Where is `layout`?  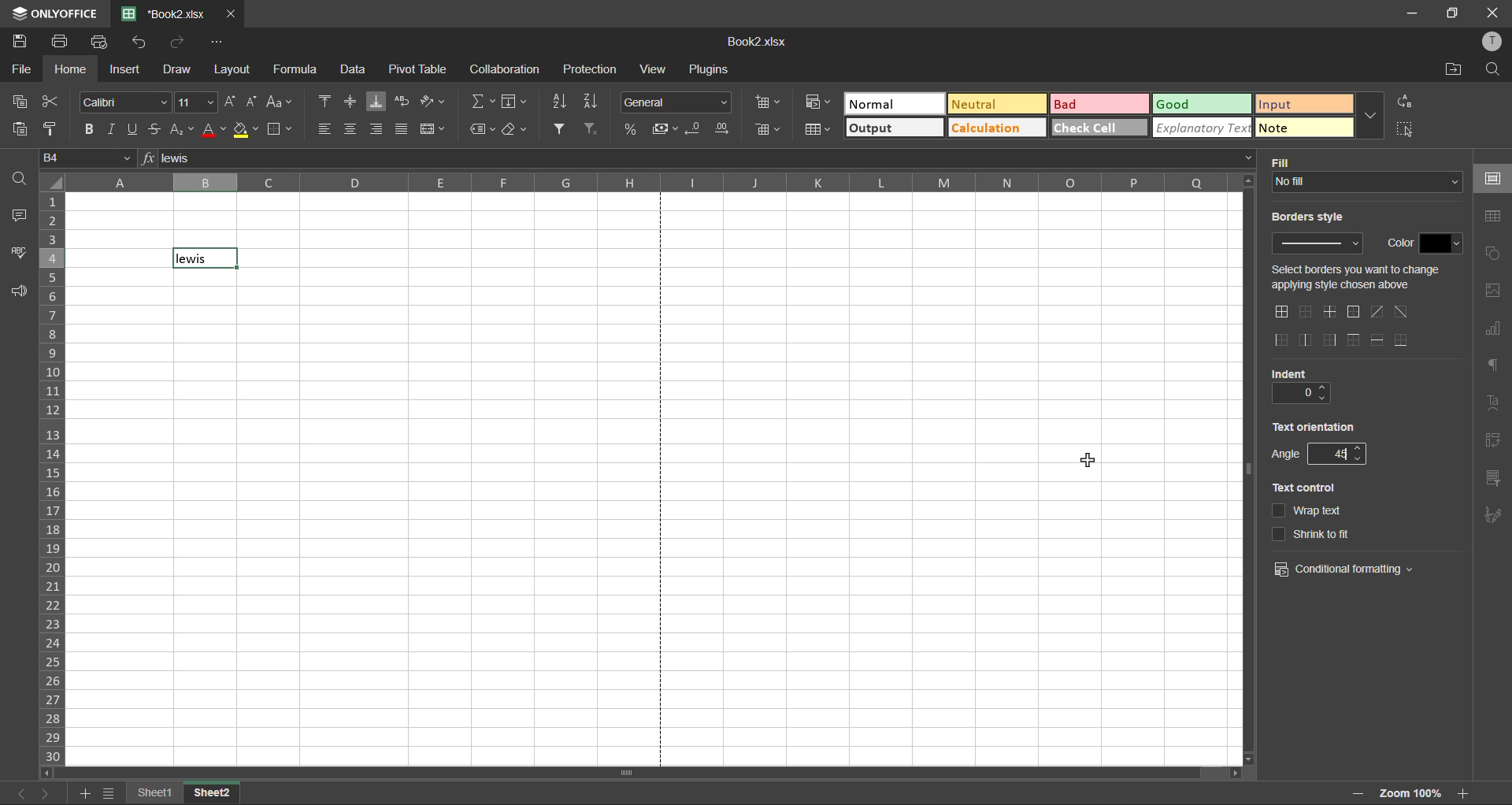
layout is located at coordinates (232, 69).